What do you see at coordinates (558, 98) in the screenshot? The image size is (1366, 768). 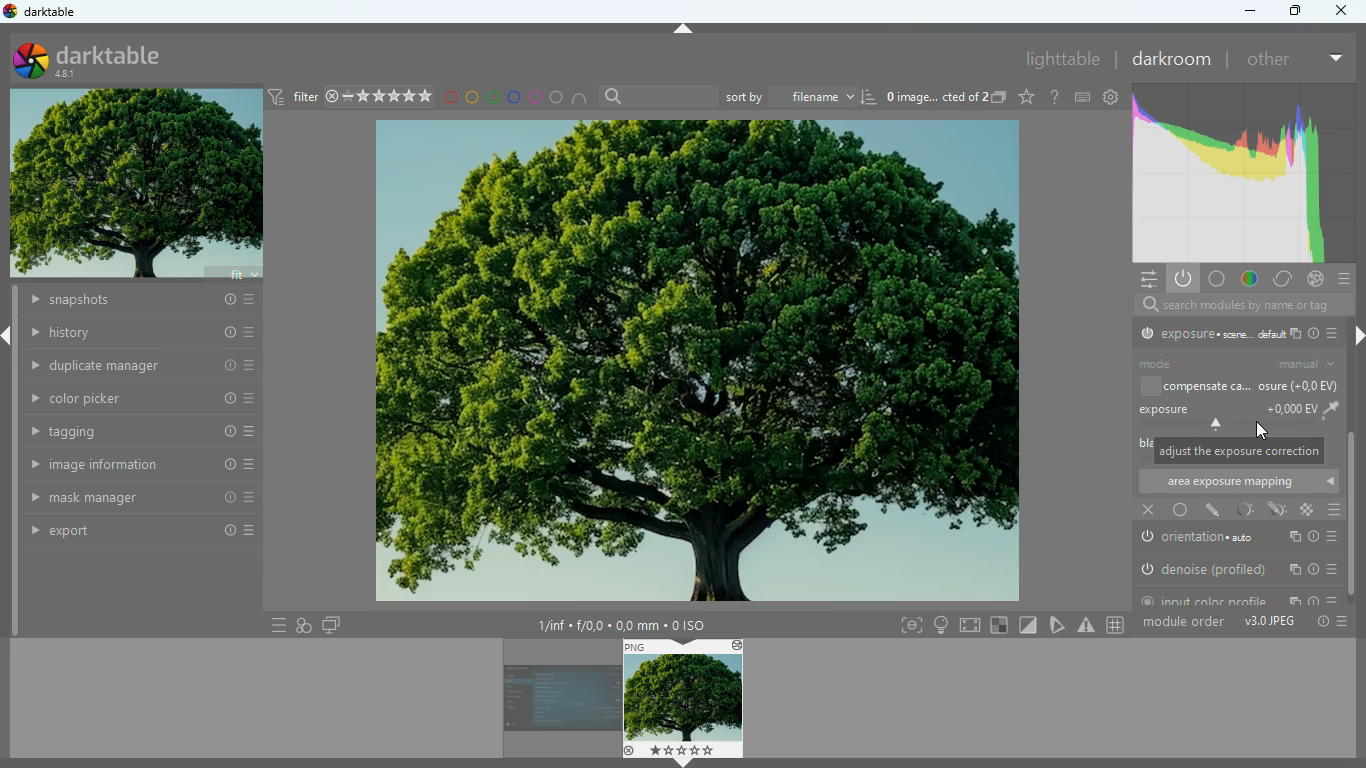 I see `circle` at bounding box center [558, 98].